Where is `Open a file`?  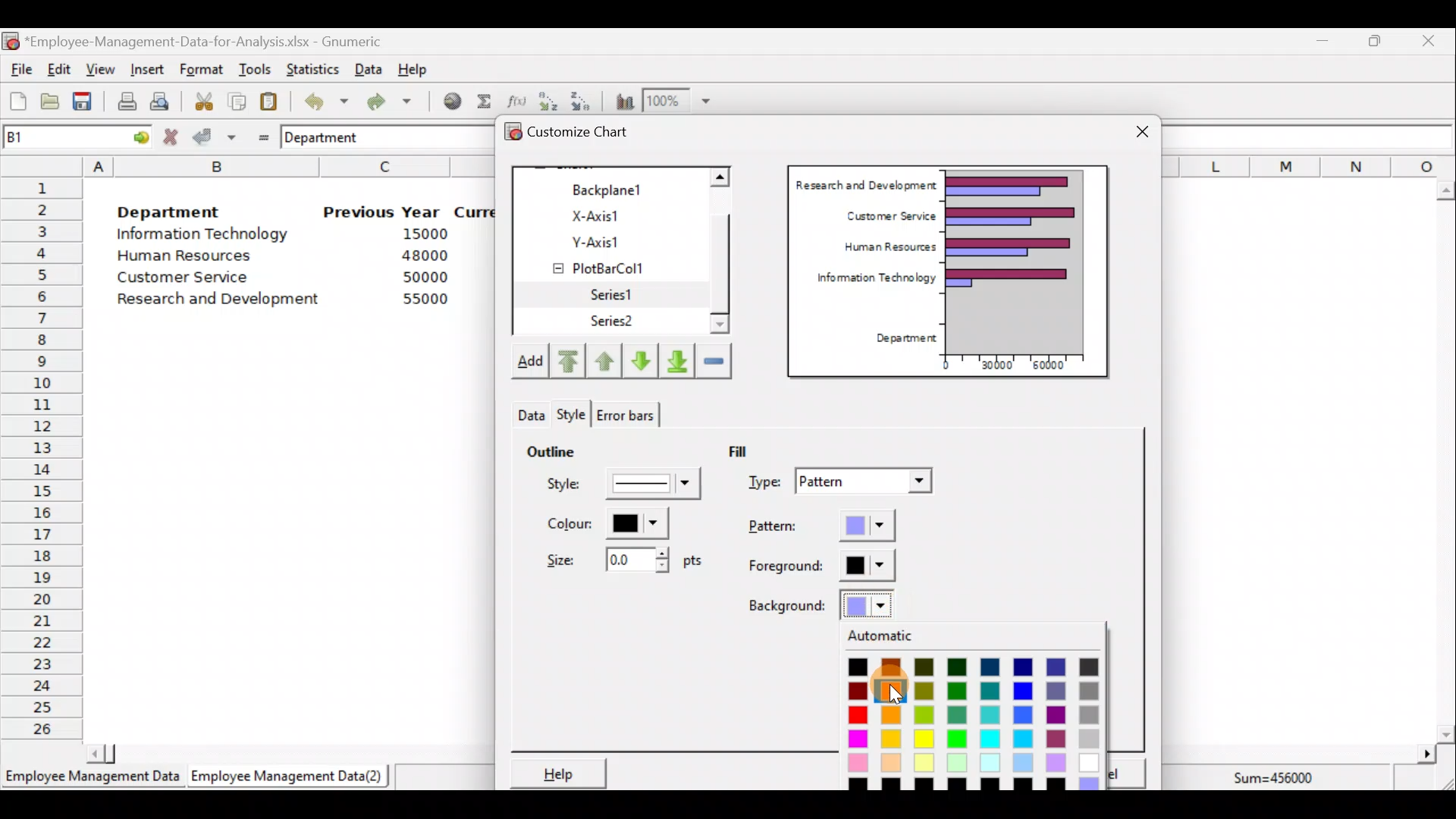 Open a file is located at coordinates (54, 103).